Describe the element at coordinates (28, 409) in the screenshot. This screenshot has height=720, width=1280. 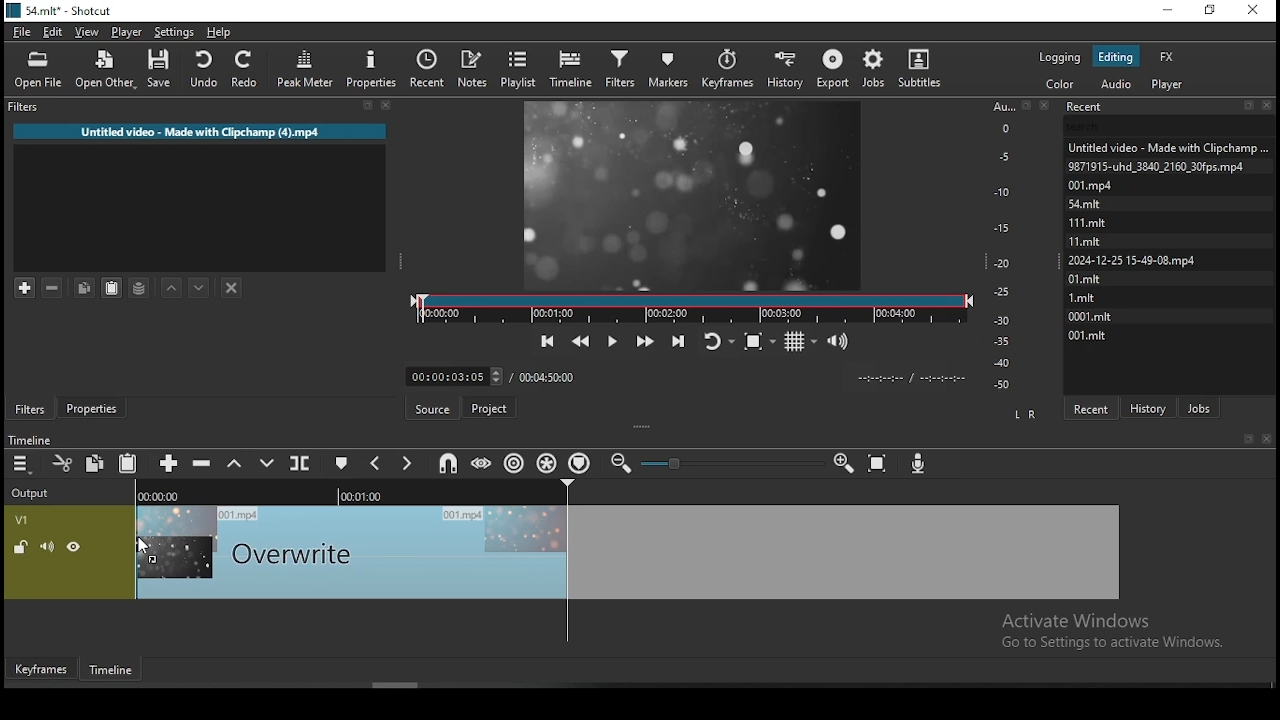
I see `filters` at that location.